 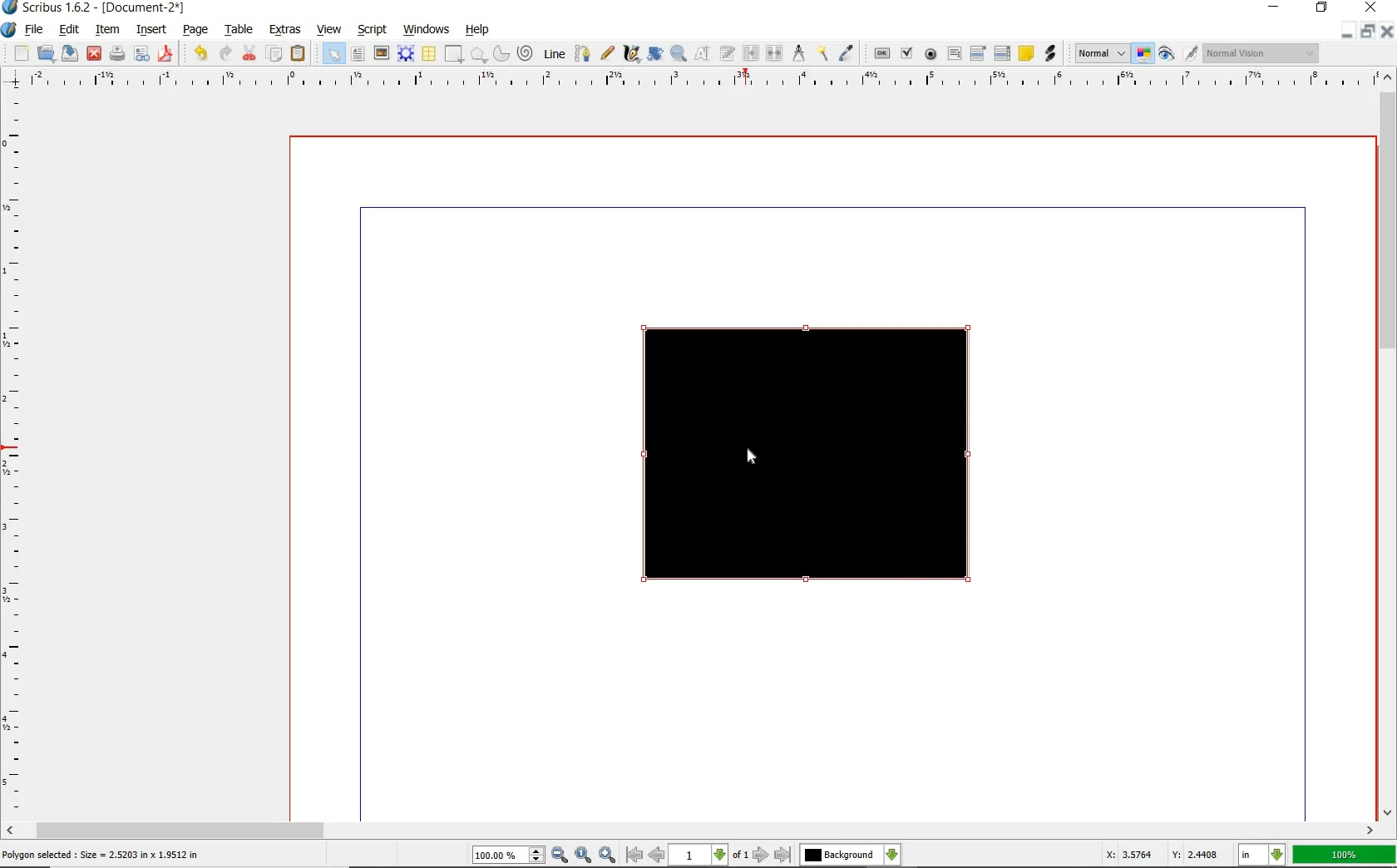 What do you see at coordinates (679, 53) in the screenshot?
I see `zoom in or out` at bounding box center [679, 53].